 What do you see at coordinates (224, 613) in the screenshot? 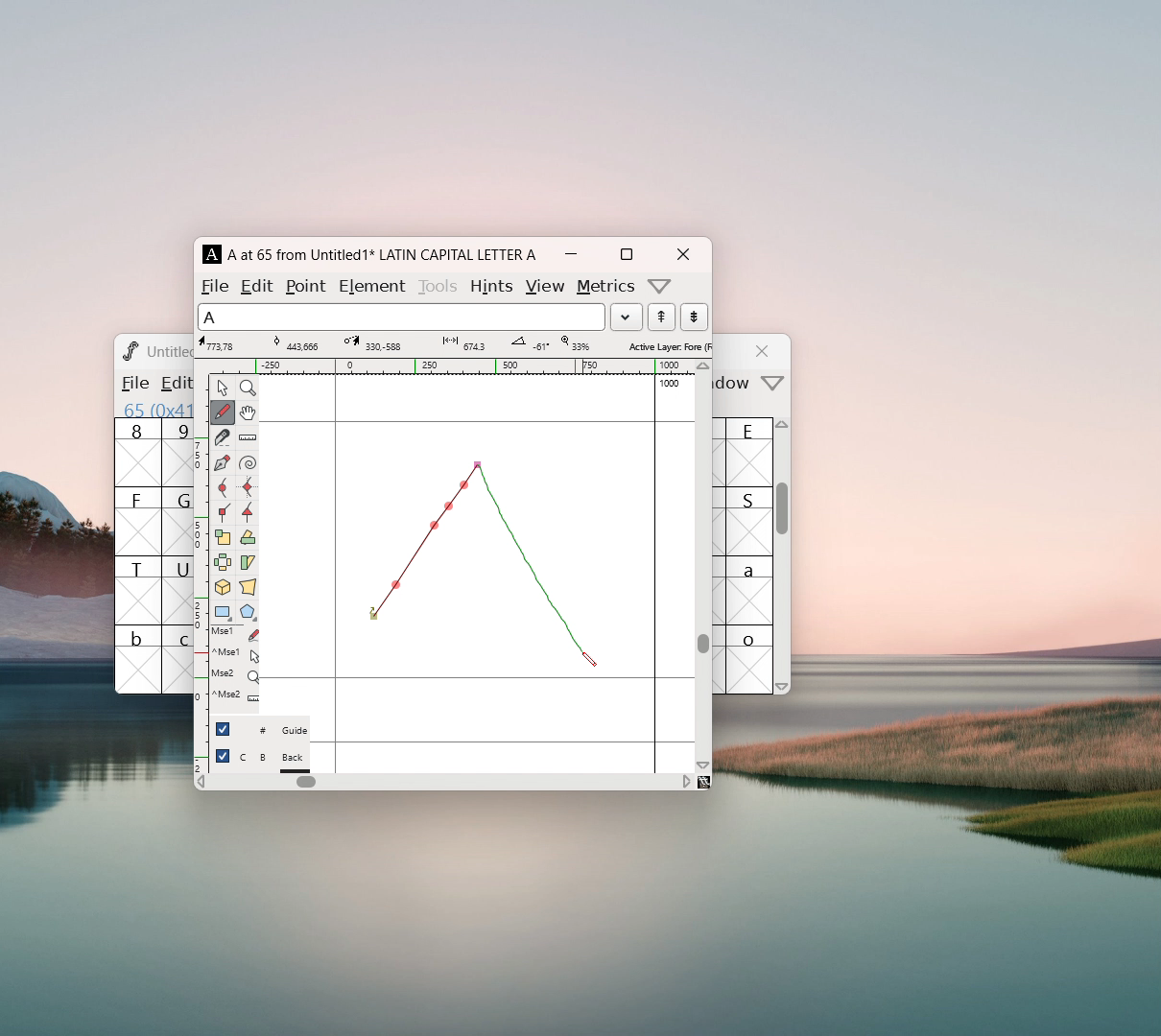
I see `rectangle or ellipse` at bounding box center [224, 613].